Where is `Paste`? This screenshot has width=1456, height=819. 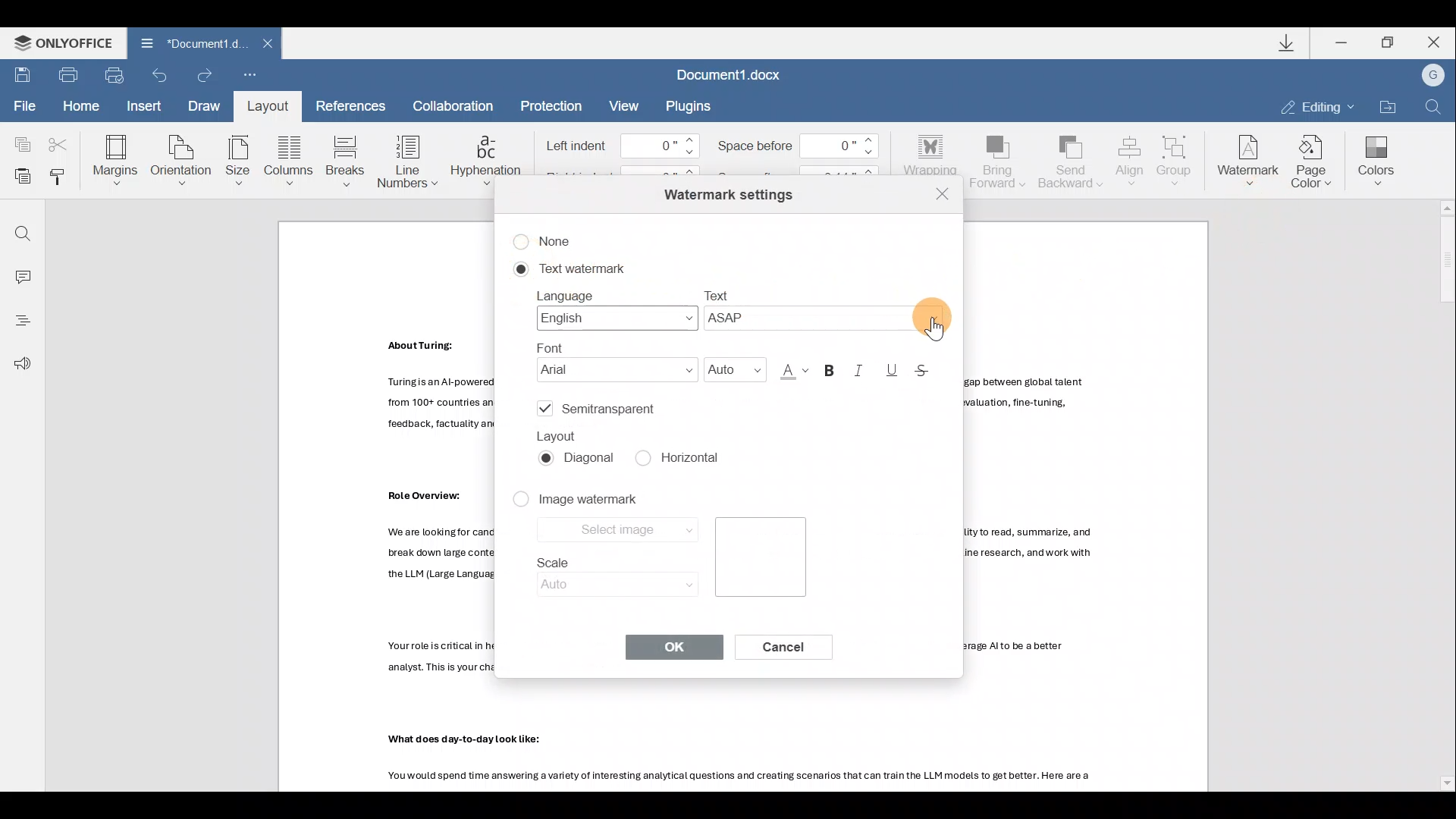 Paste is located at coordinates (20, 177).